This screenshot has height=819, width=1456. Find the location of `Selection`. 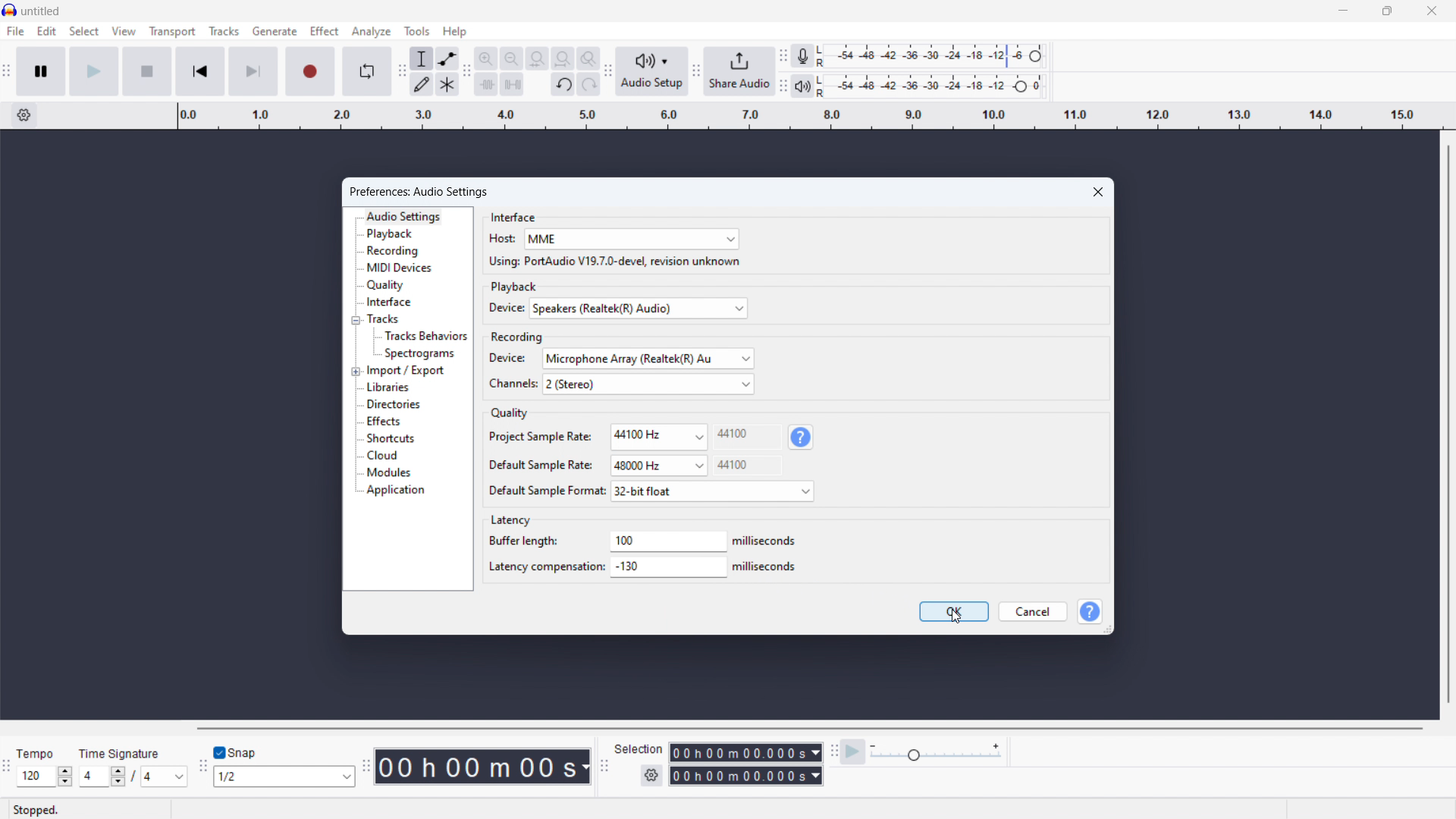

Selection is located at coordinates (641, 748).